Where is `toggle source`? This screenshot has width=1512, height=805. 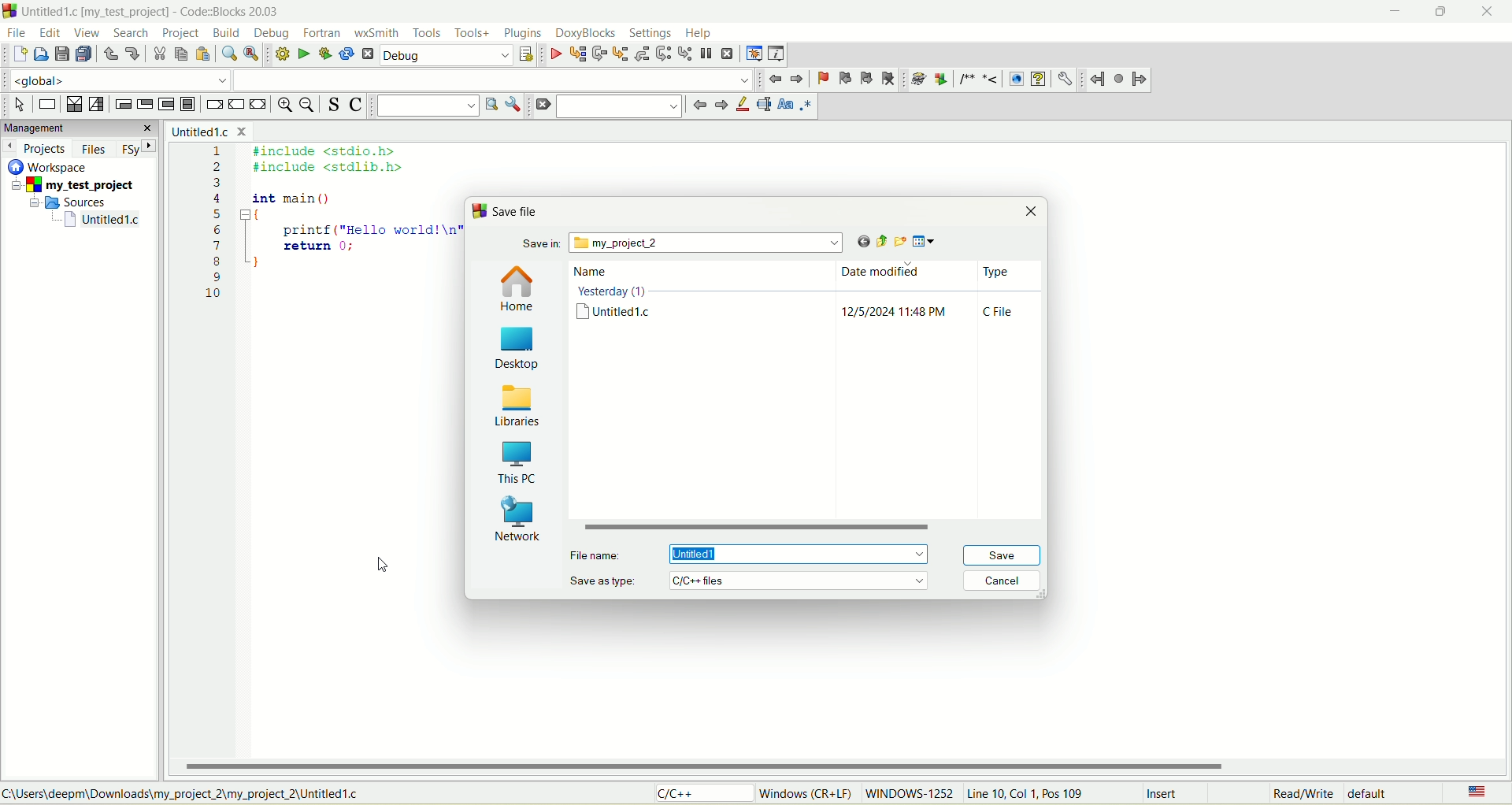 toggle source is located at coordinates (335, 104).